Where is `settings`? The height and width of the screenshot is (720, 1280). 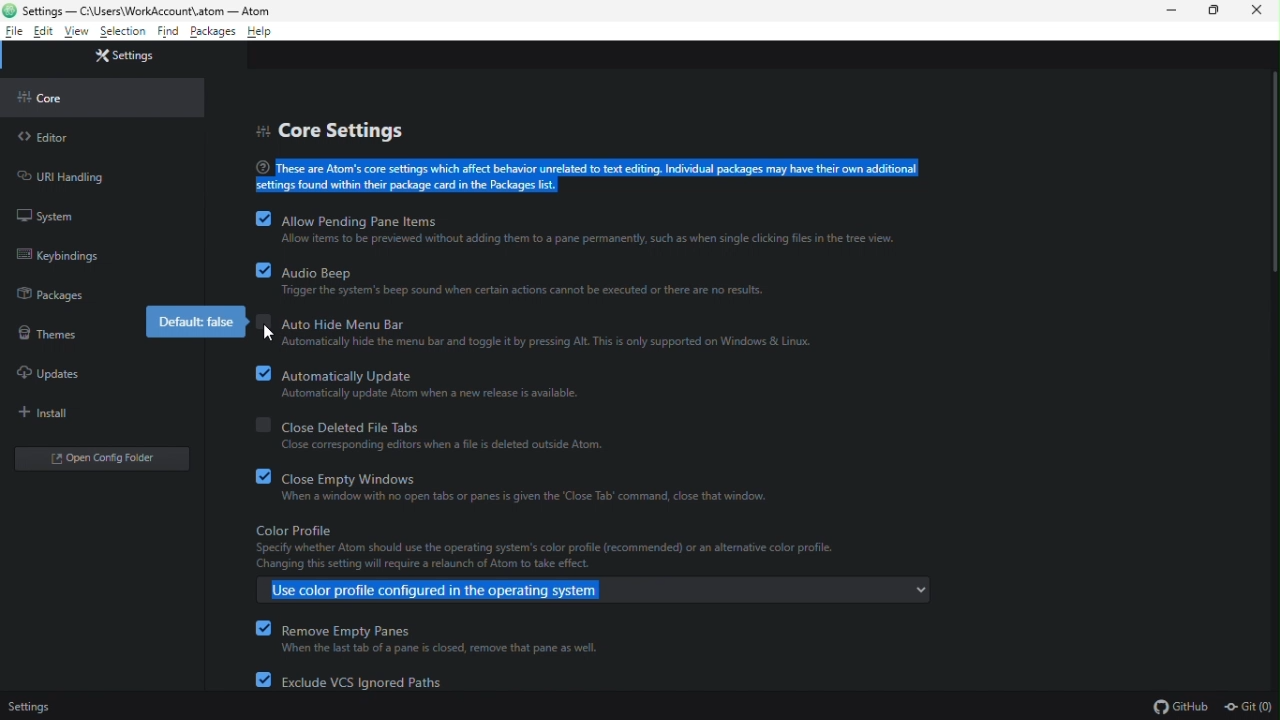
settings is located at coordinates (127, 58).